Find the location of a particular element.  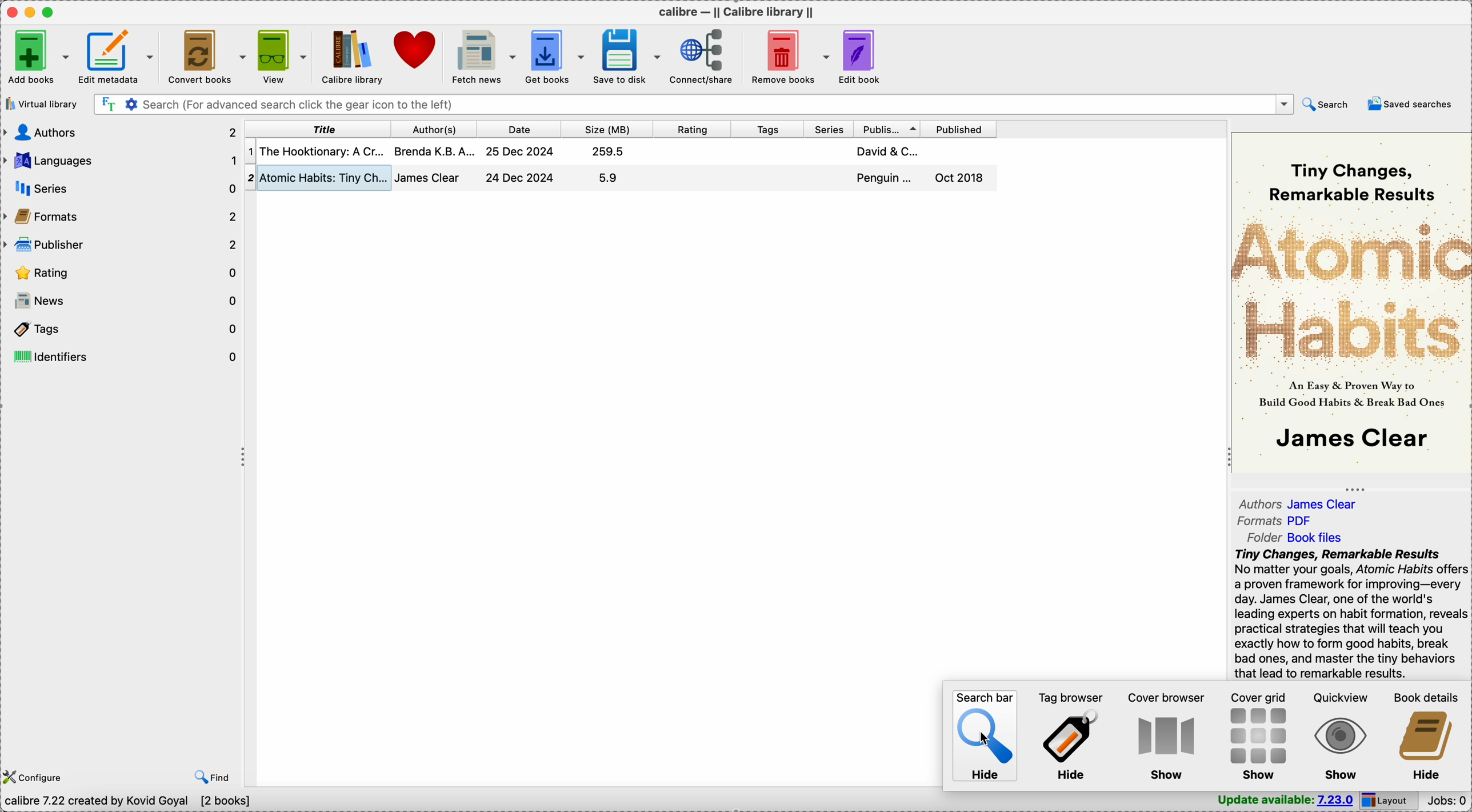

show cover grid is located at coordinates (1259, 735).